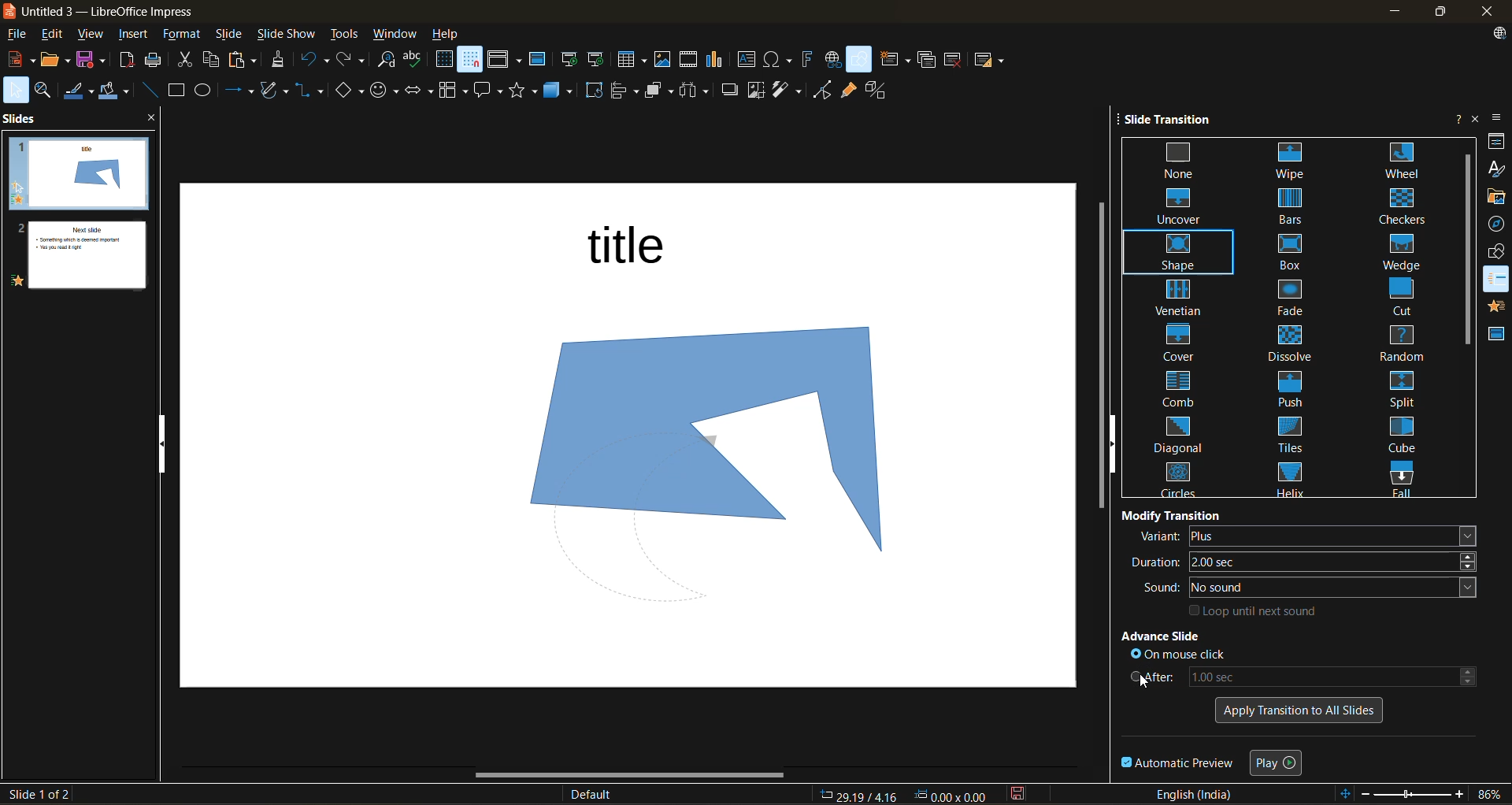 Image resolution: width=1512 pixels, height=805 pixels. Describe the element at coordinates (1175, 121) in the screenshot. I see `slide transition` at that location.